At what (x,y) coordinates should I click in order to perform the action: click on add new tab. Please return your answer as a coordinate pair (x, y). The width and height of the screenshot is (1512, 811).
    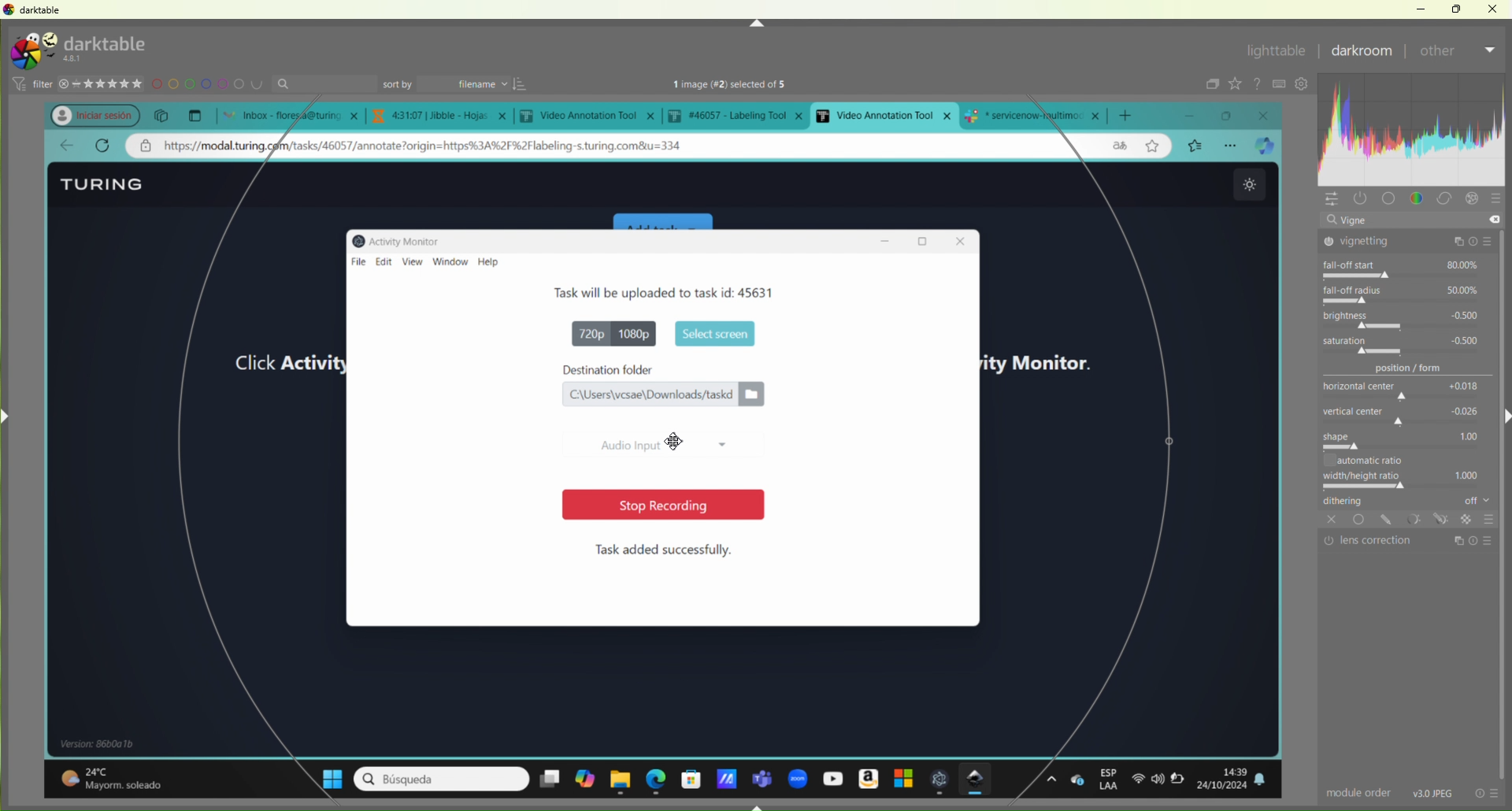
    Looking at the image, I should click on (1131, 112).